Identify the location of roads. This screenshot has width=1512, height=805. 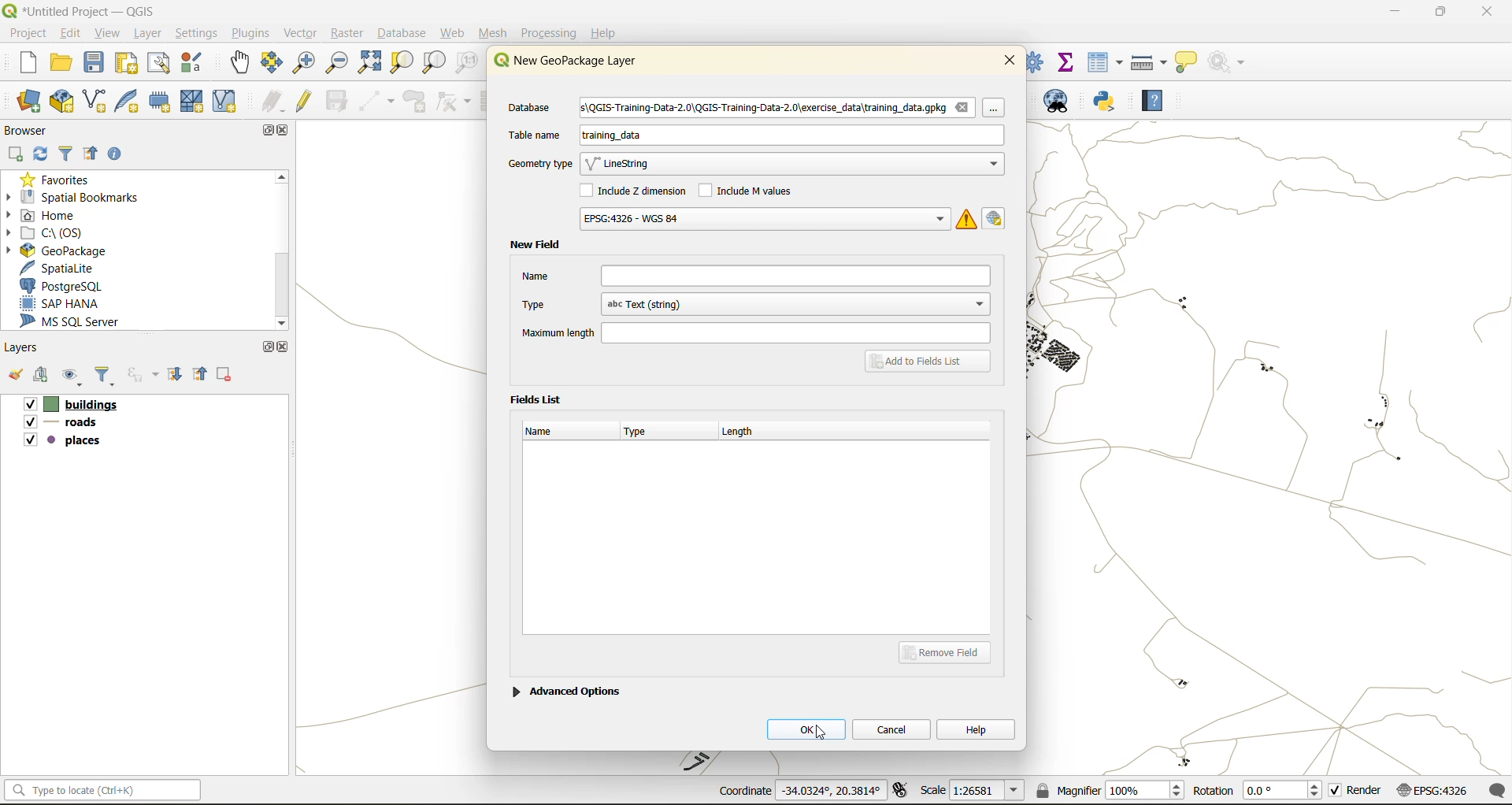
(64, 425).